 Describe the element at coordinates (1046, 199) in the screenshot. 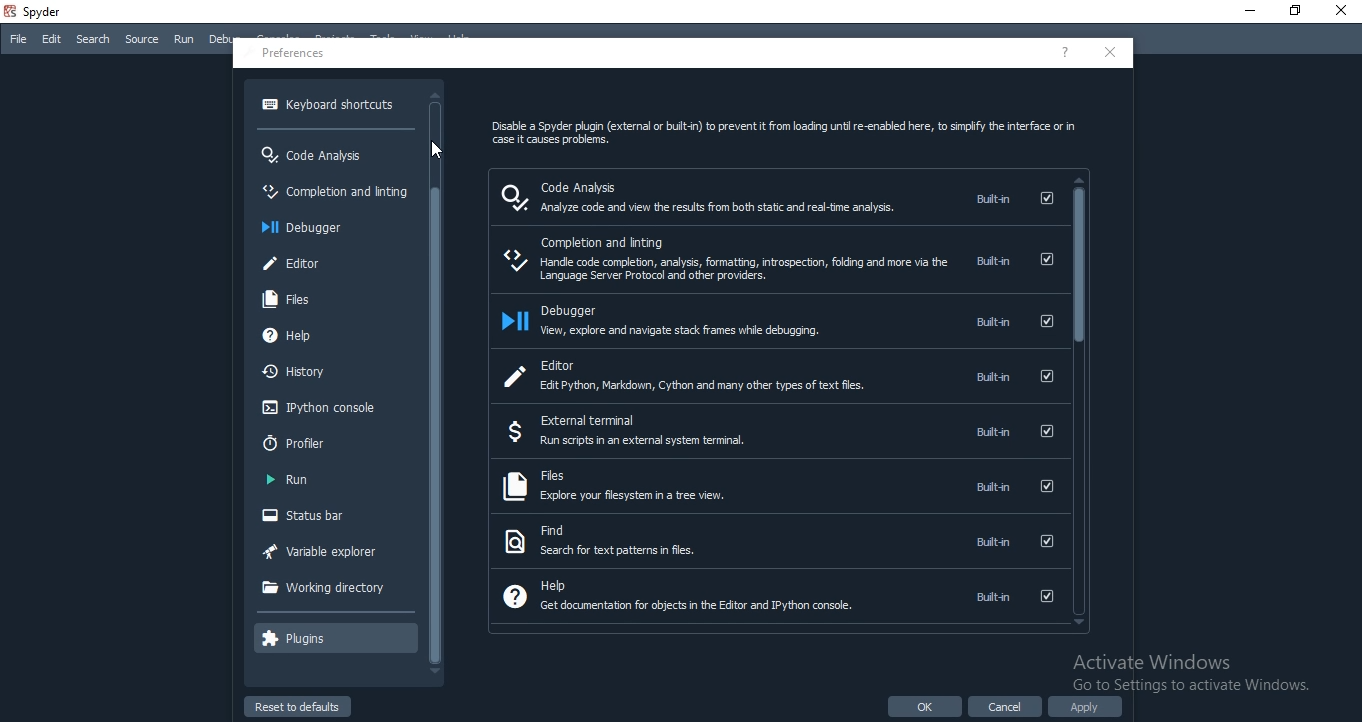

I see `checkbox` at that location.